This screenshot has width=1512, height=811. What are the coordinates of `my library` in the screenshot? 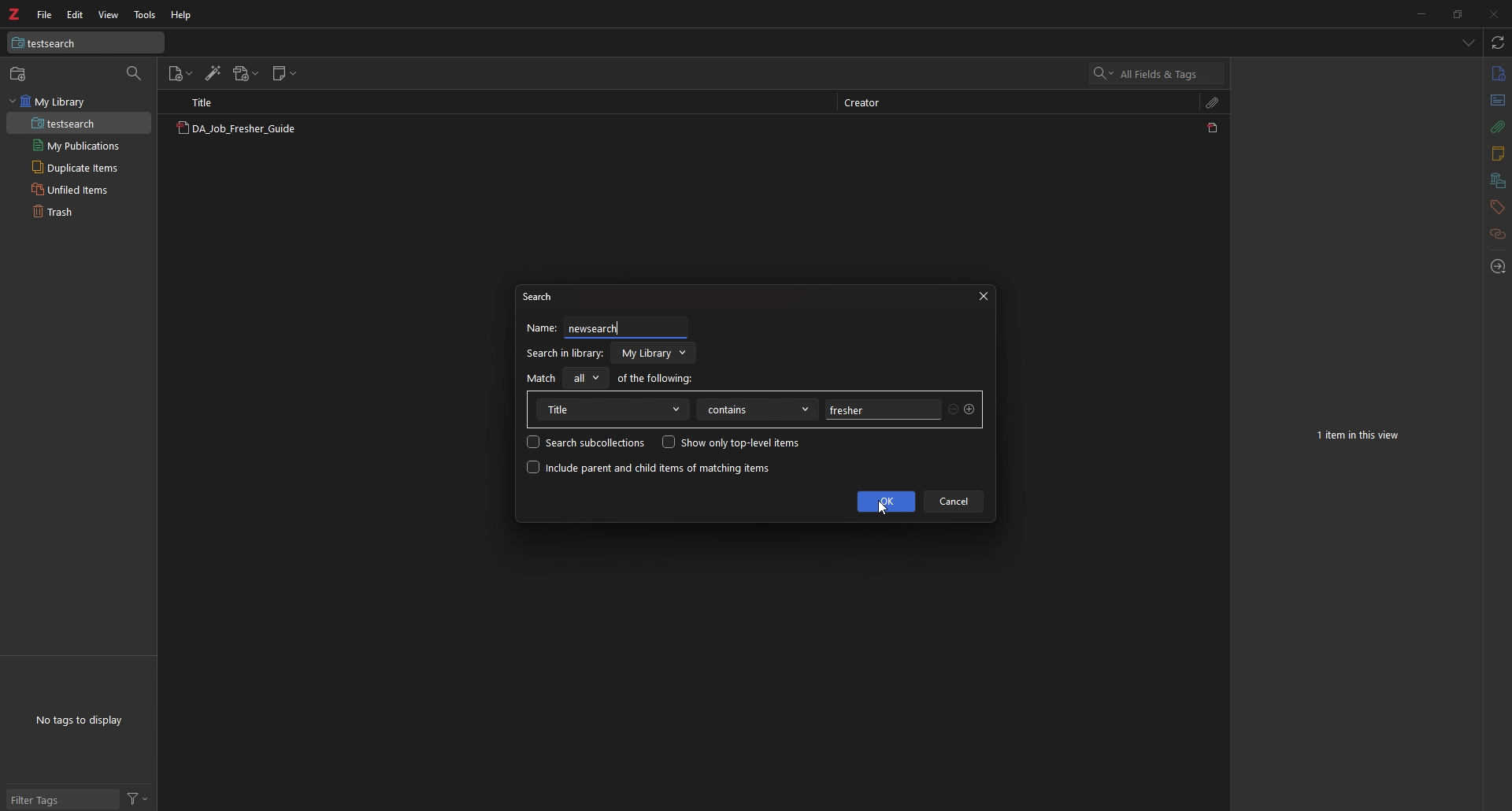 It's located at (79, 102).